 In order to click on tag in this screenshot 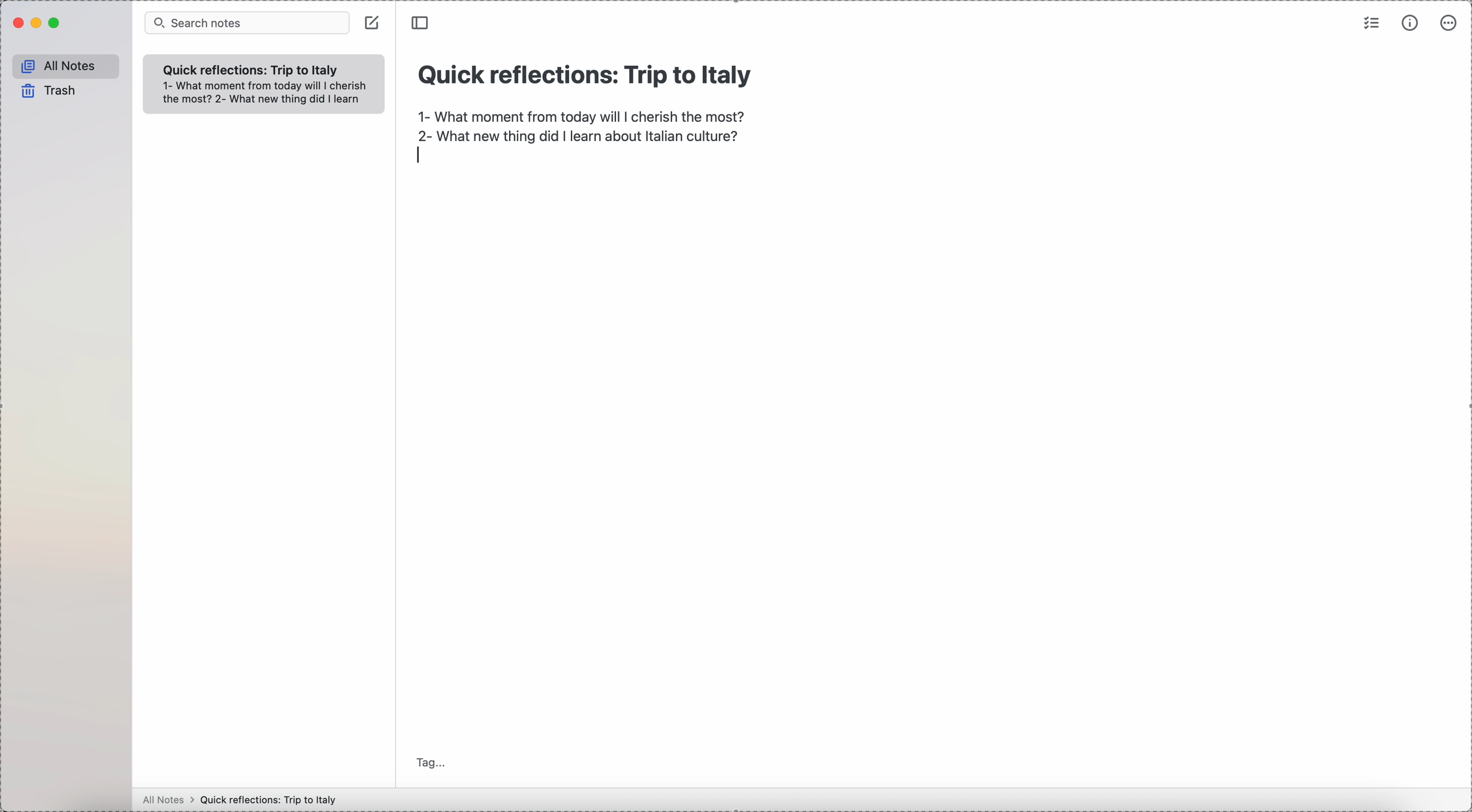, I will do `click(431, 762)`.